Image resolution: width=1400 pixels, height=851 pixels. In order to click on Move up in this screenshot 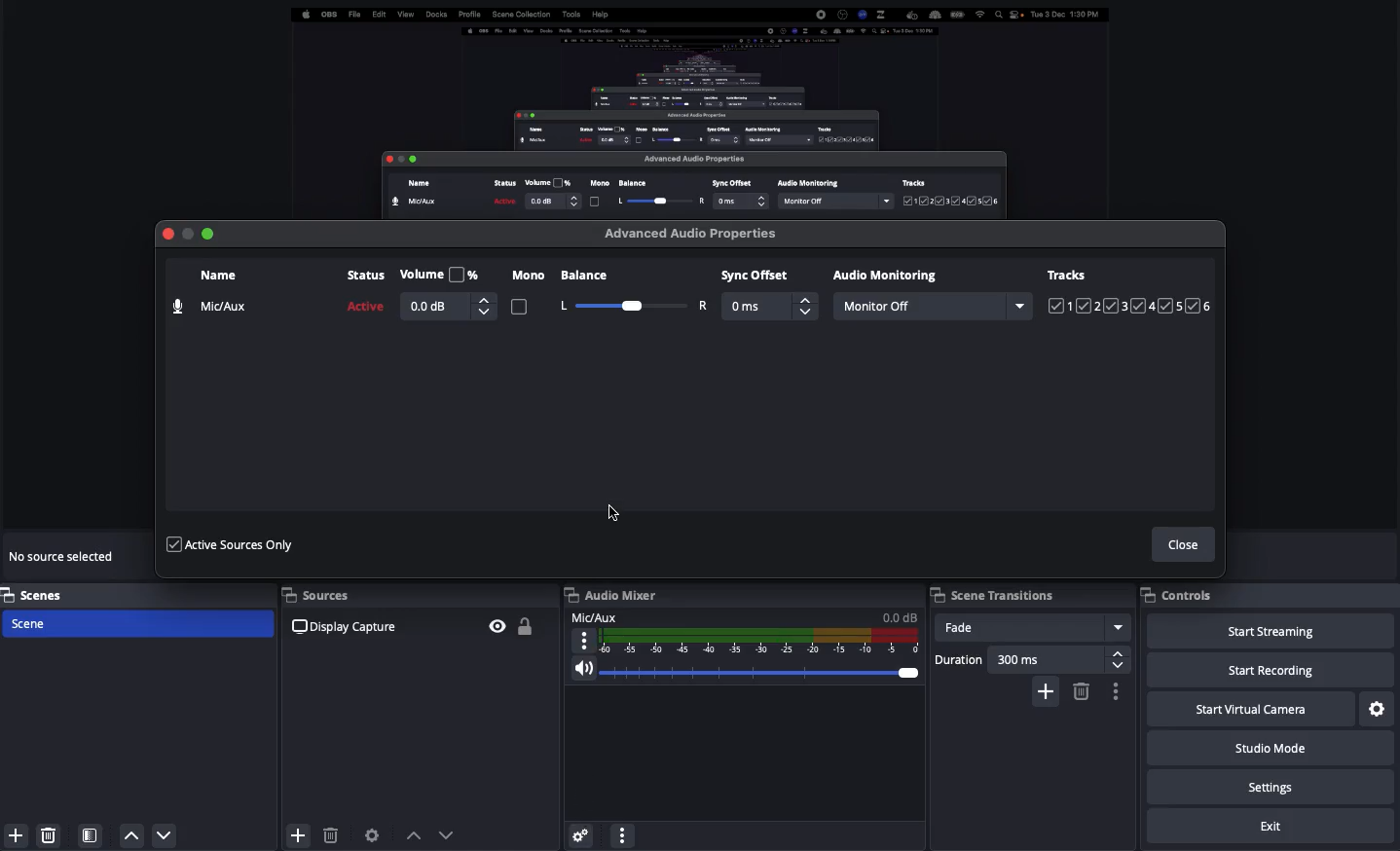, I will do `click(416, 837)`.